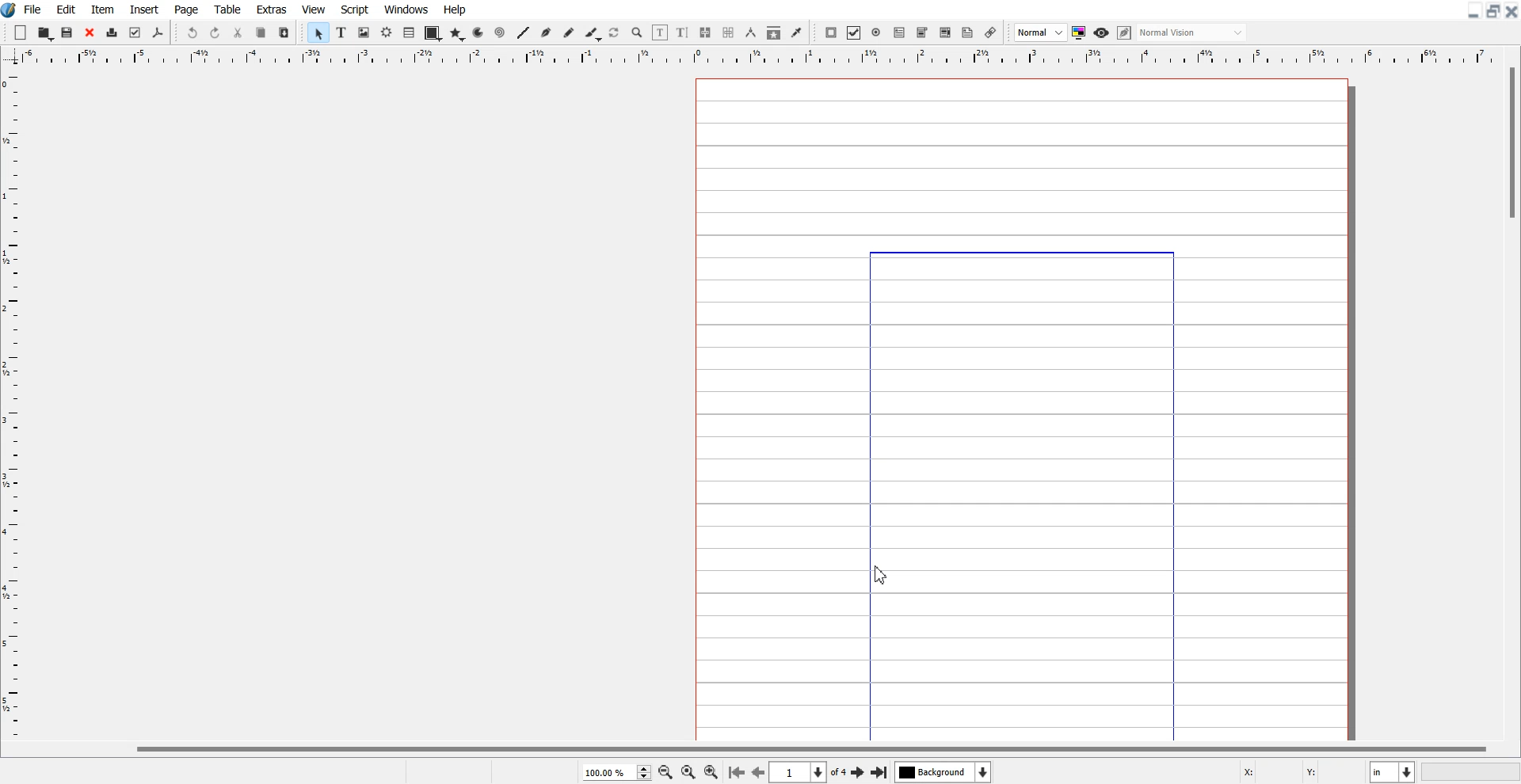 This screenshot has height=784, width=1521. Describe the element at coordinates (758, 772) in the screenshot. I see `Go to the previous page` at that location.